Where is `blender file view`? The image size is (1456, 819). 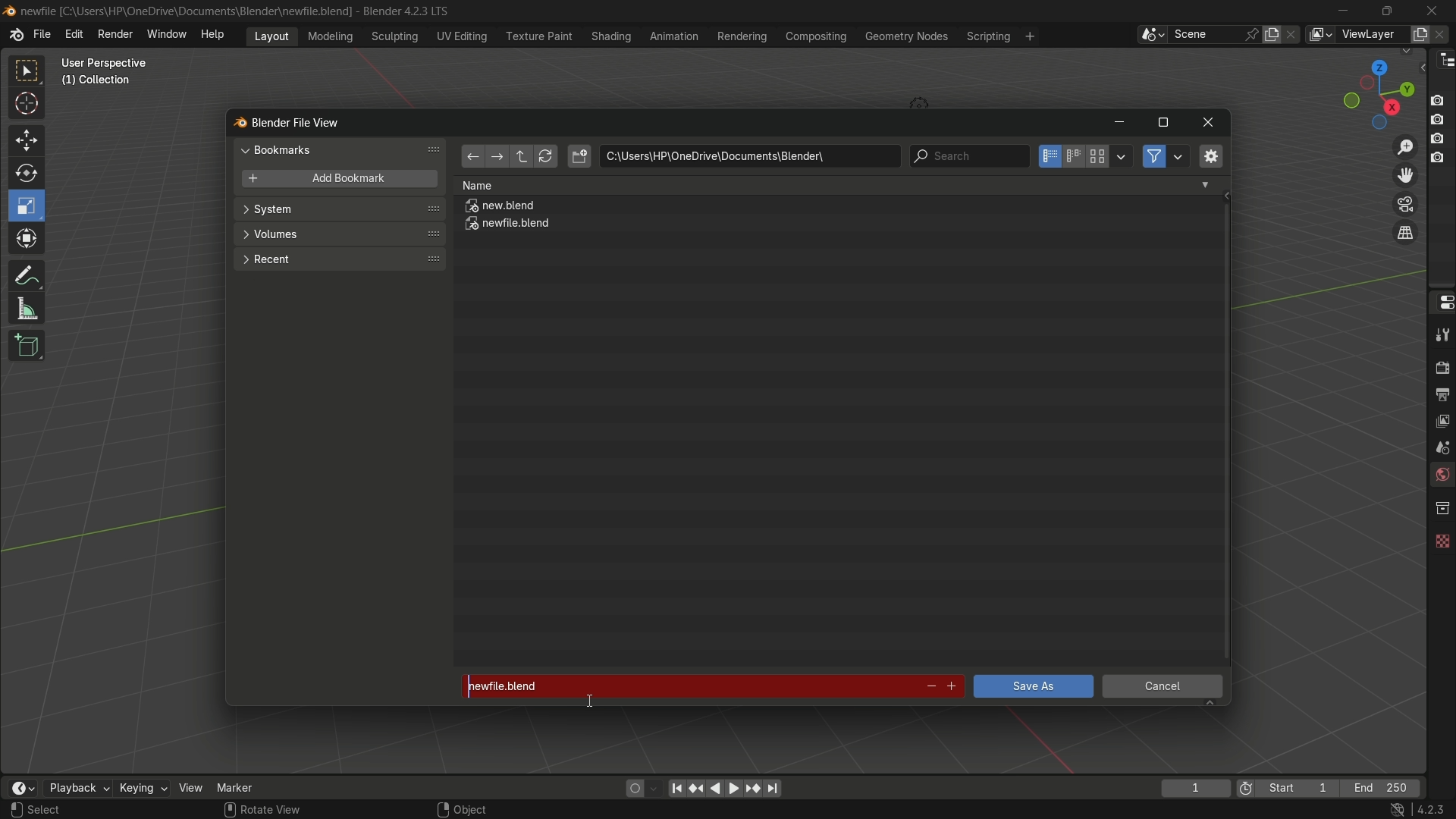 blender file view is located at coordinates (298, 121).